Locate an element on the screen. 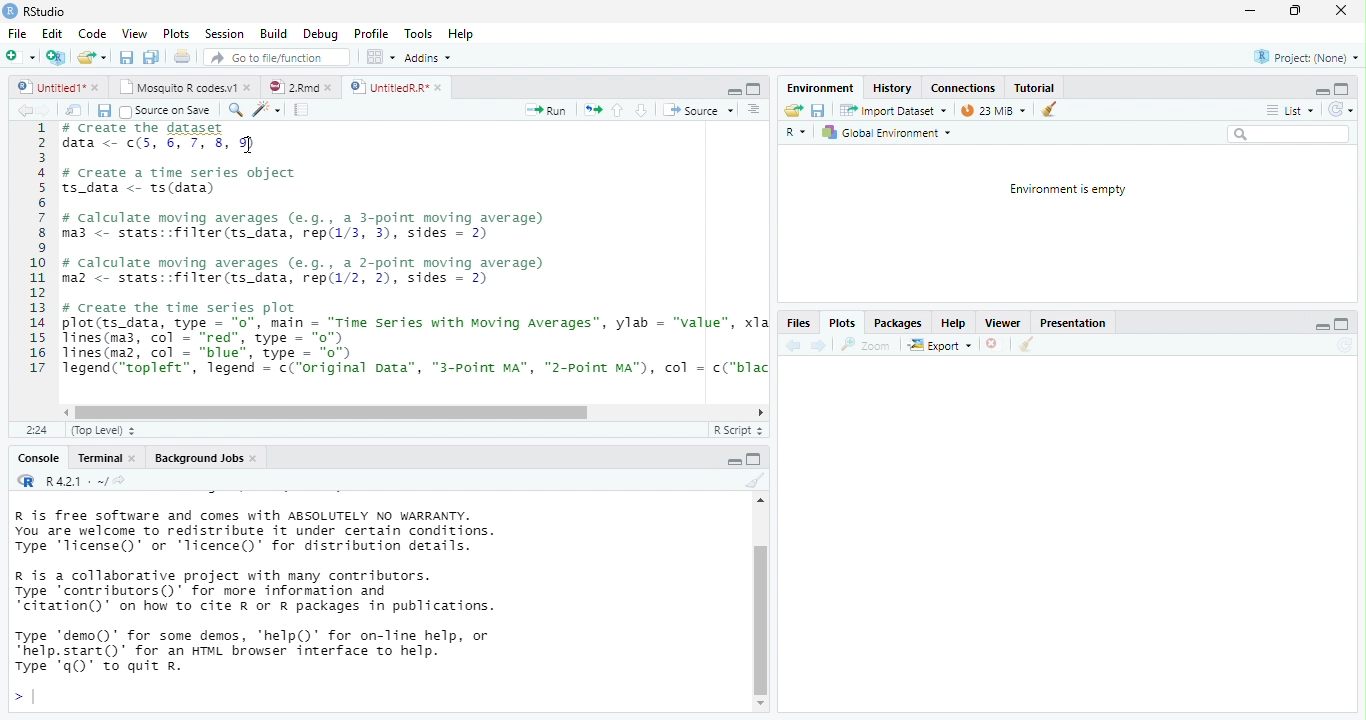 This screenshot has width=1366, height=720. close is located at coordinates (136, 459).